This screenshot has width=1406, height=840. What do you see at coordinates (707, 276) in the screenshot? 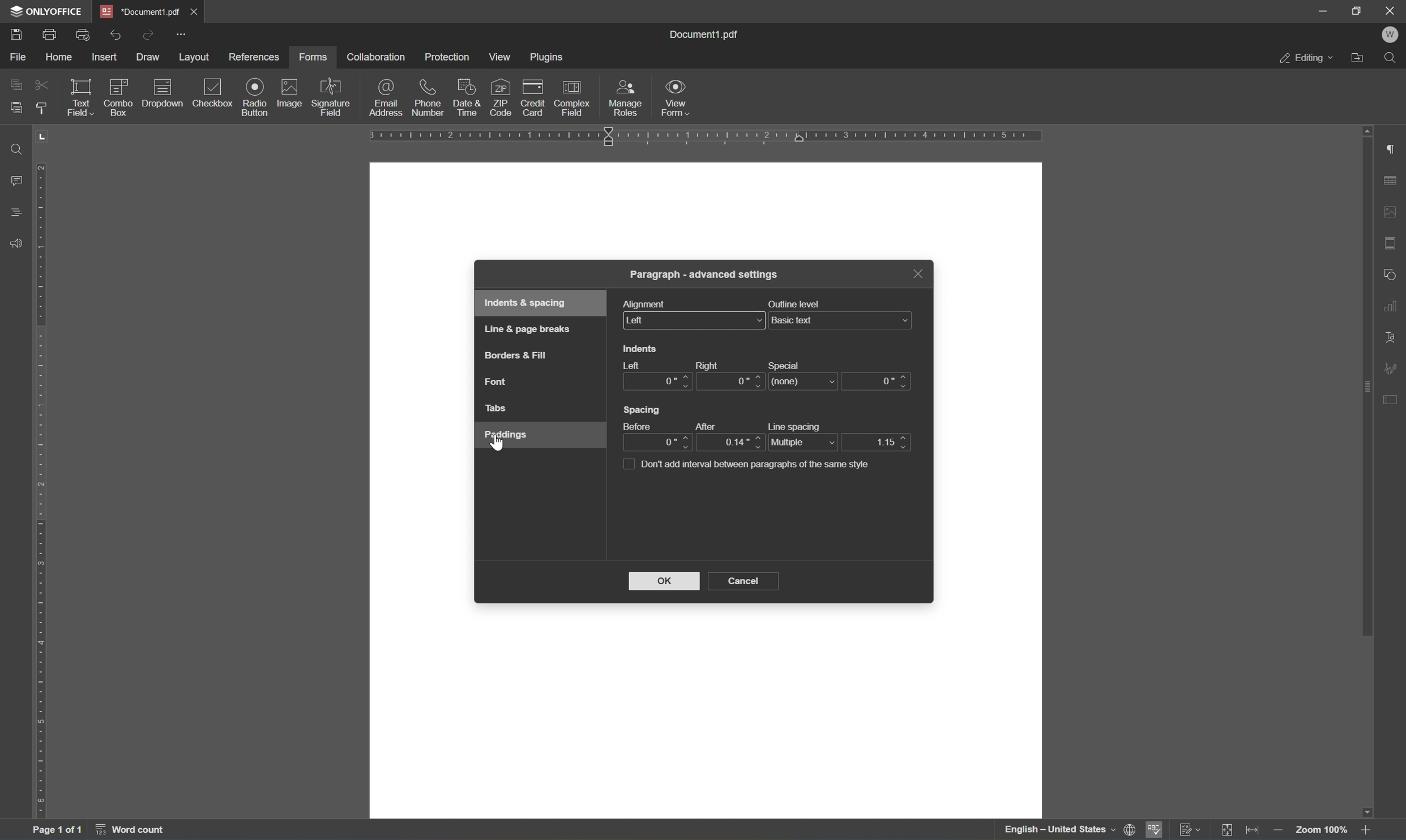
I see `paragraph - advanced settings` at bounding box center [707, 276].